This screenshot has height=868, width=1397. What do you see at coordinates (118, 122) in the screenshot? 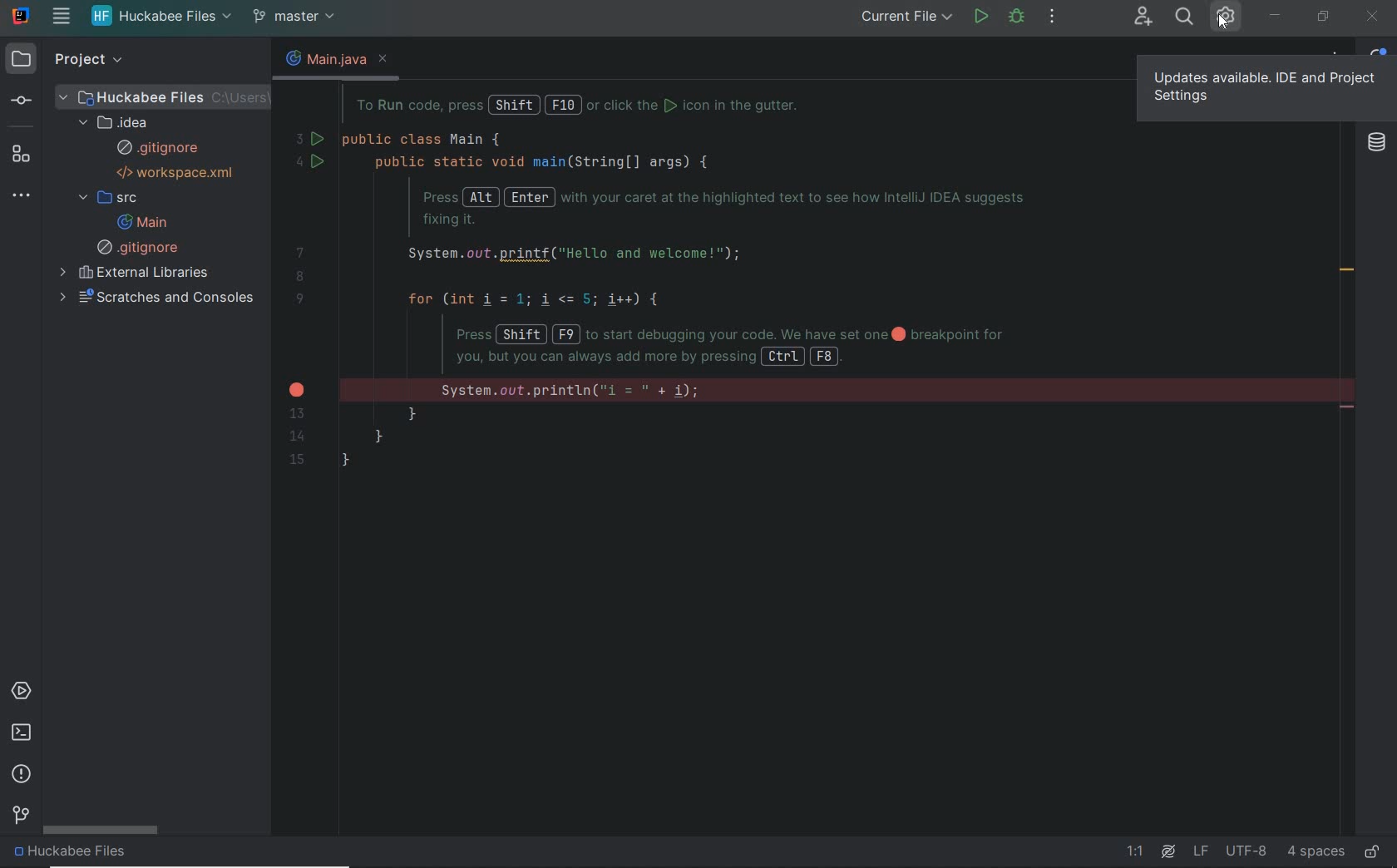
I see `.idea` at bounding box center [118, 122].